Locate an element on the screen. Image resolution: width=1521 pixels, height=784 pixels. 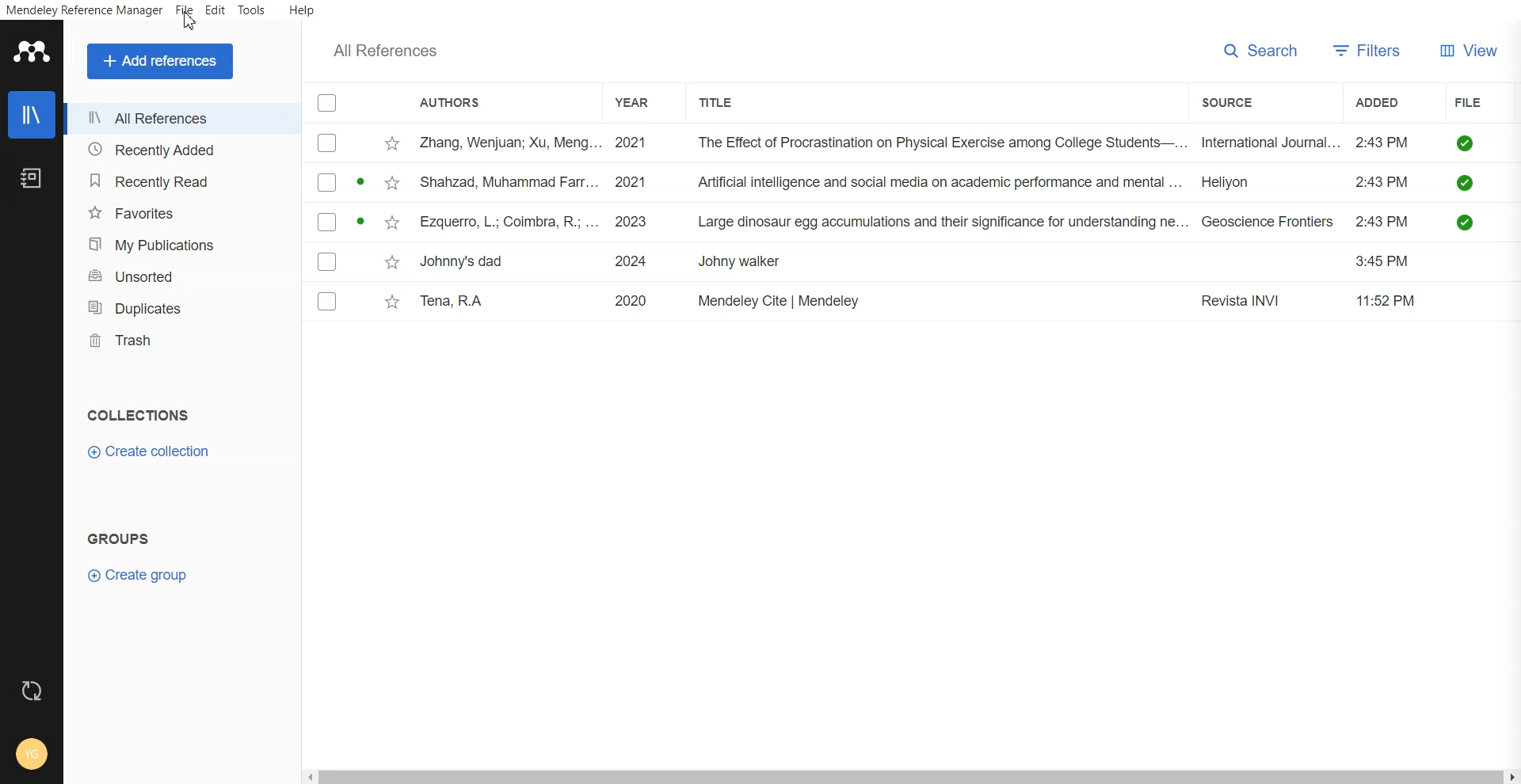
Shahzad, Muhammad Farr. is located at coordinates (513, 181).